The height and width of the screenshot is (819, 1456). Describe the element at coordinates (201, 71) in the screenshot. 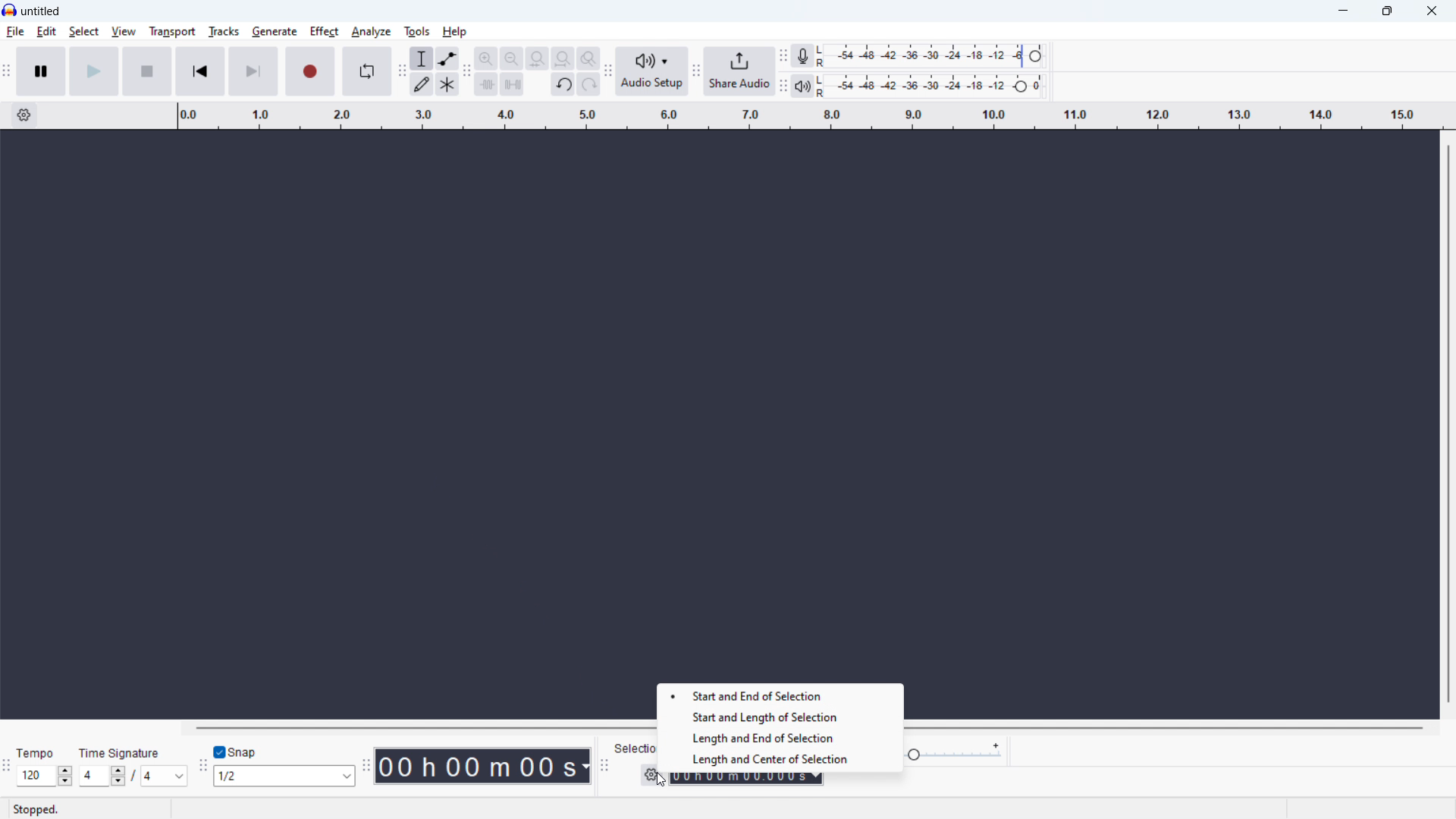

I see `skip to start` at that location.